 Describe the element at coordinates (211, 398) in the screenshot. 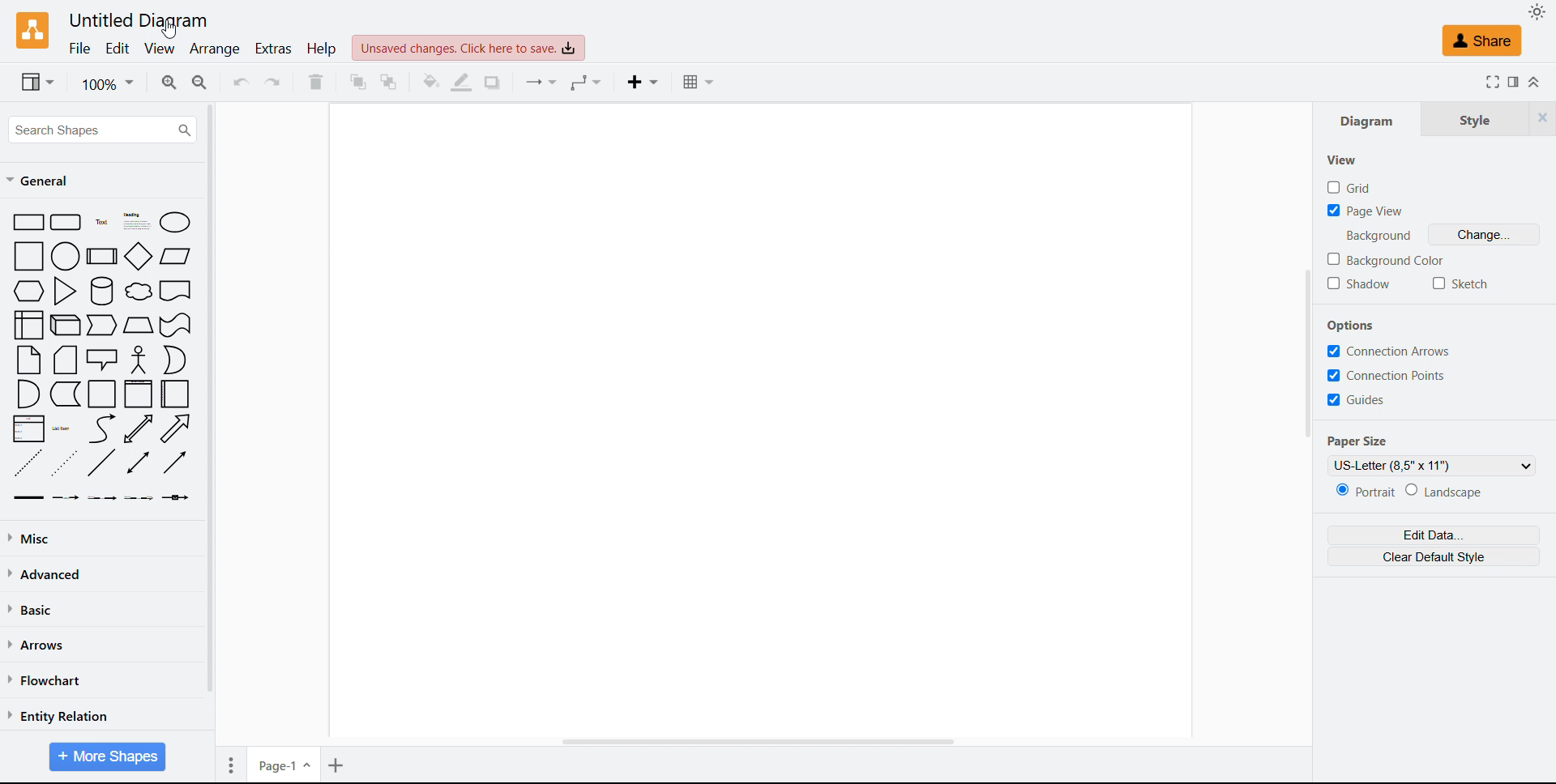

I see `Scroll bar ` at that location.